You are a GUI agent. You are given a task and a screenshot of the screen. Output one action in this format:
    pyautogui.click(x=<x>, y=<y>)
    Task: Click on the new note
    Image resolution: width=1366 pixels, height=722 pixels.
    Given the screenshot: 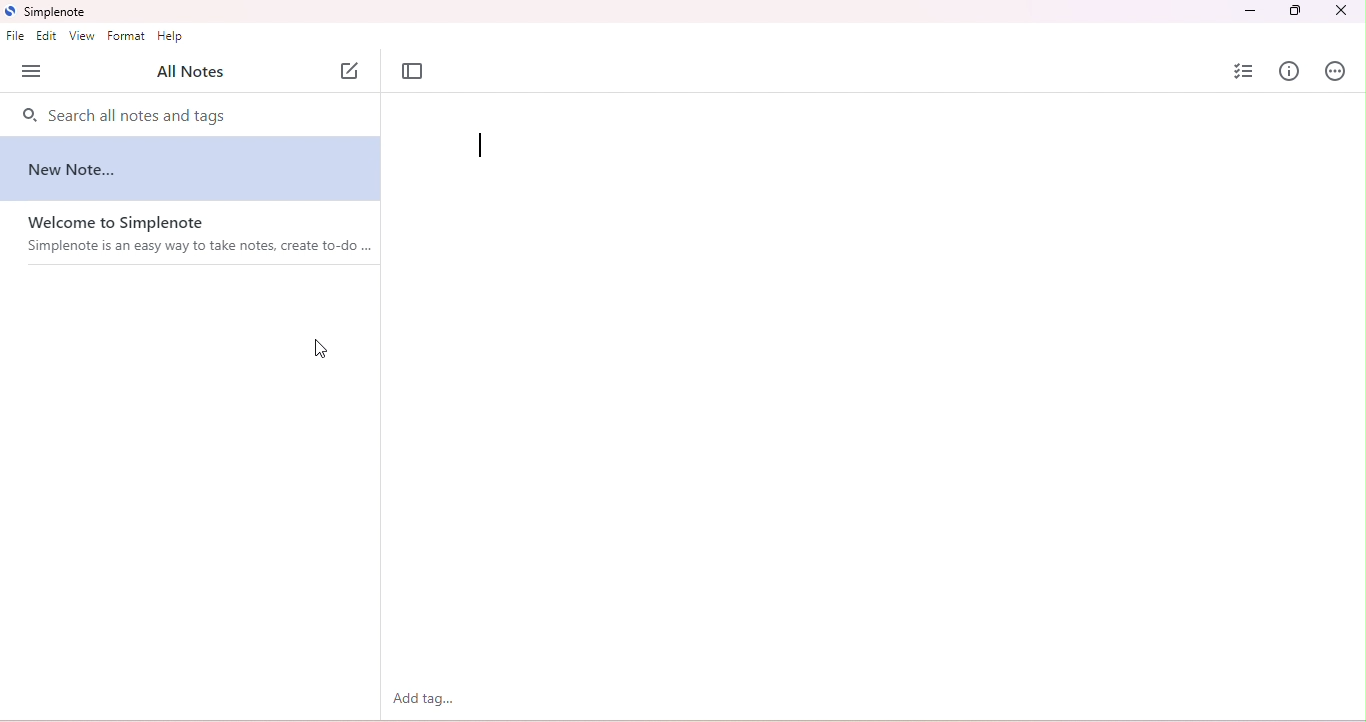 What is the action you would take?
    pyautogui.click(x=352, y=71)
    